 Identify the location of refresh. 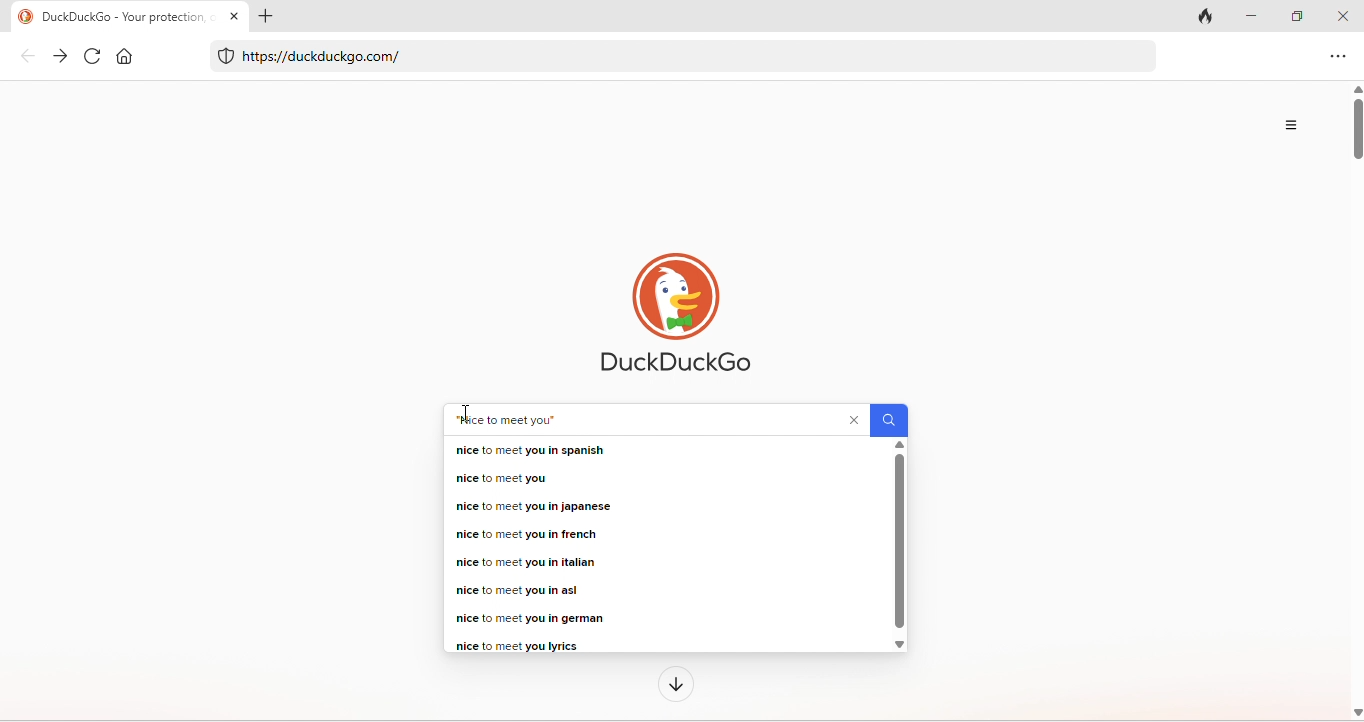
(92, 55).